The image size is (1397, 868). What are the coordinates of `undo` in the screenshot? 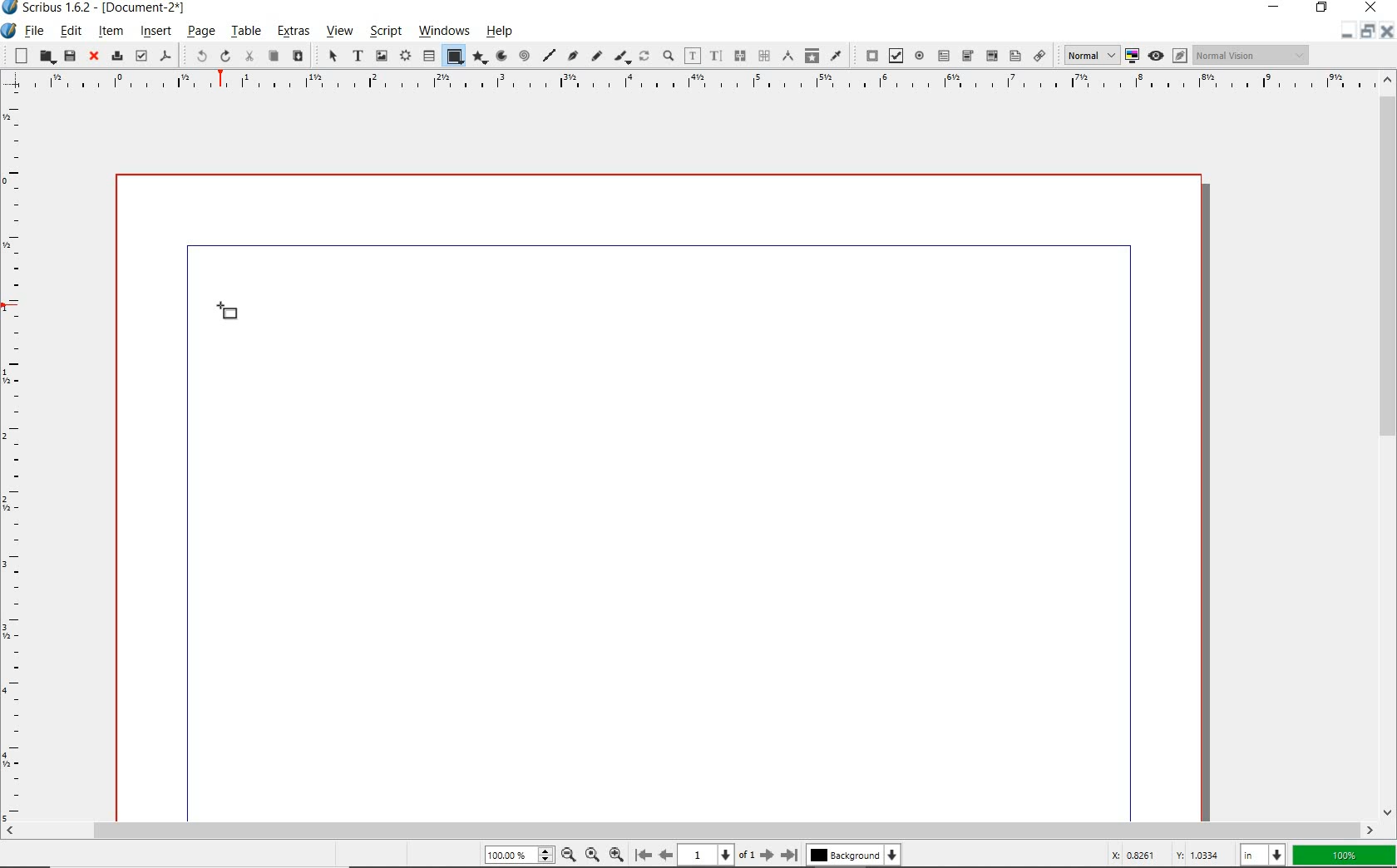 It's located at (196, 57).